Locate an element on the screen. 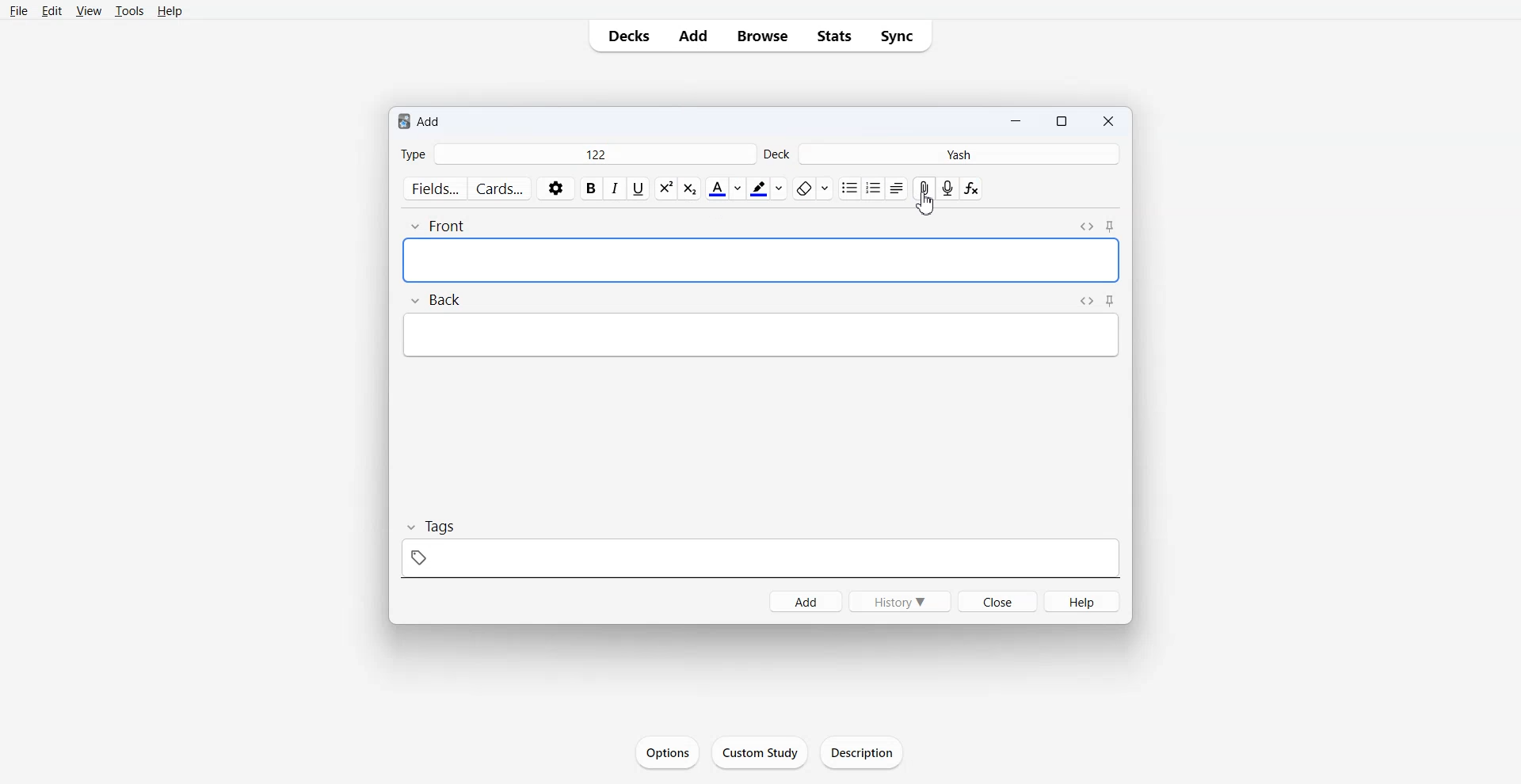  Stats is located at coordinates (834, 36).